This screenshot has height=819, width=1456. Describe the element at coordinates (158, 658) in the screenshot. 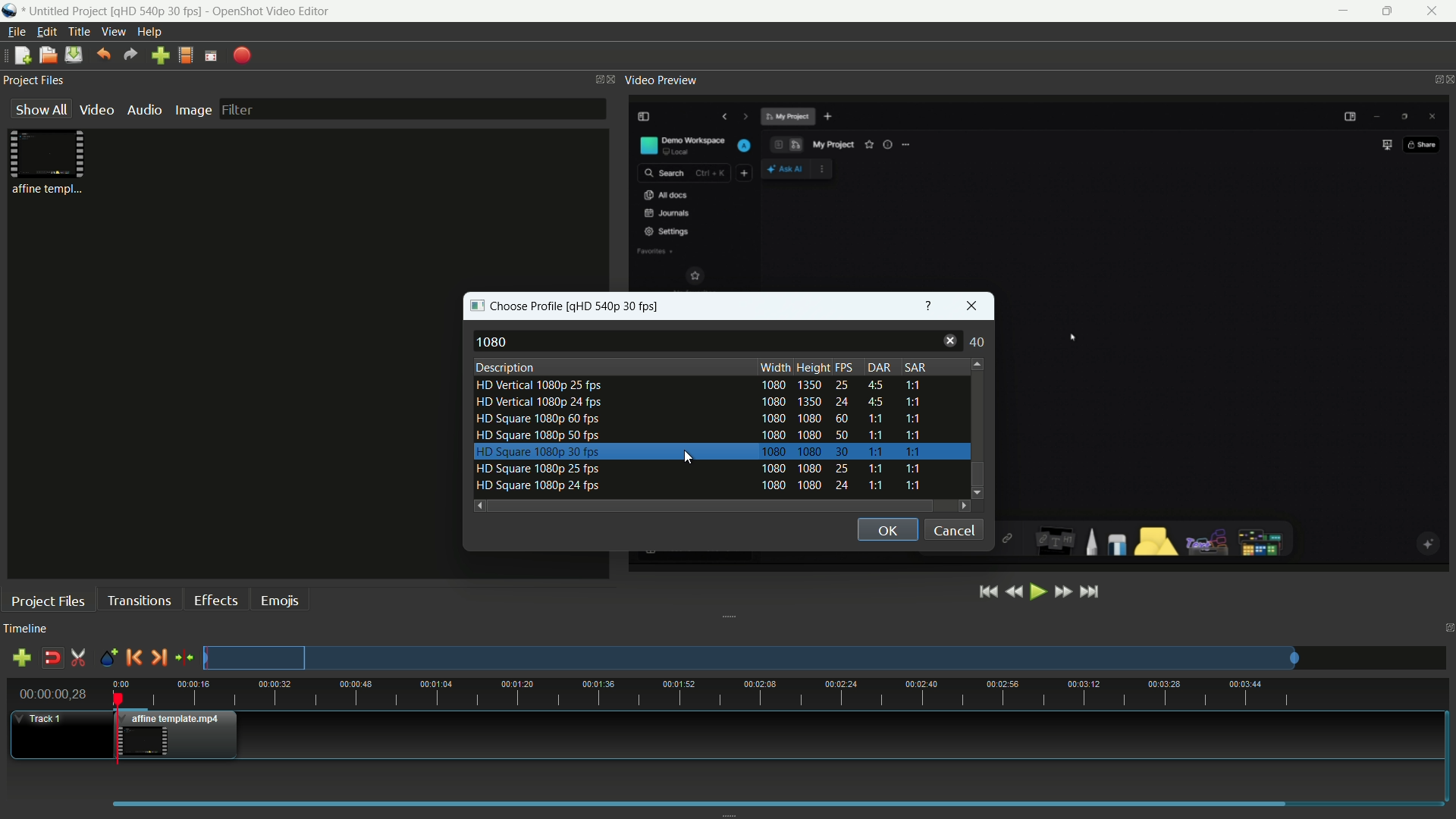

I see `next marker` at that location.